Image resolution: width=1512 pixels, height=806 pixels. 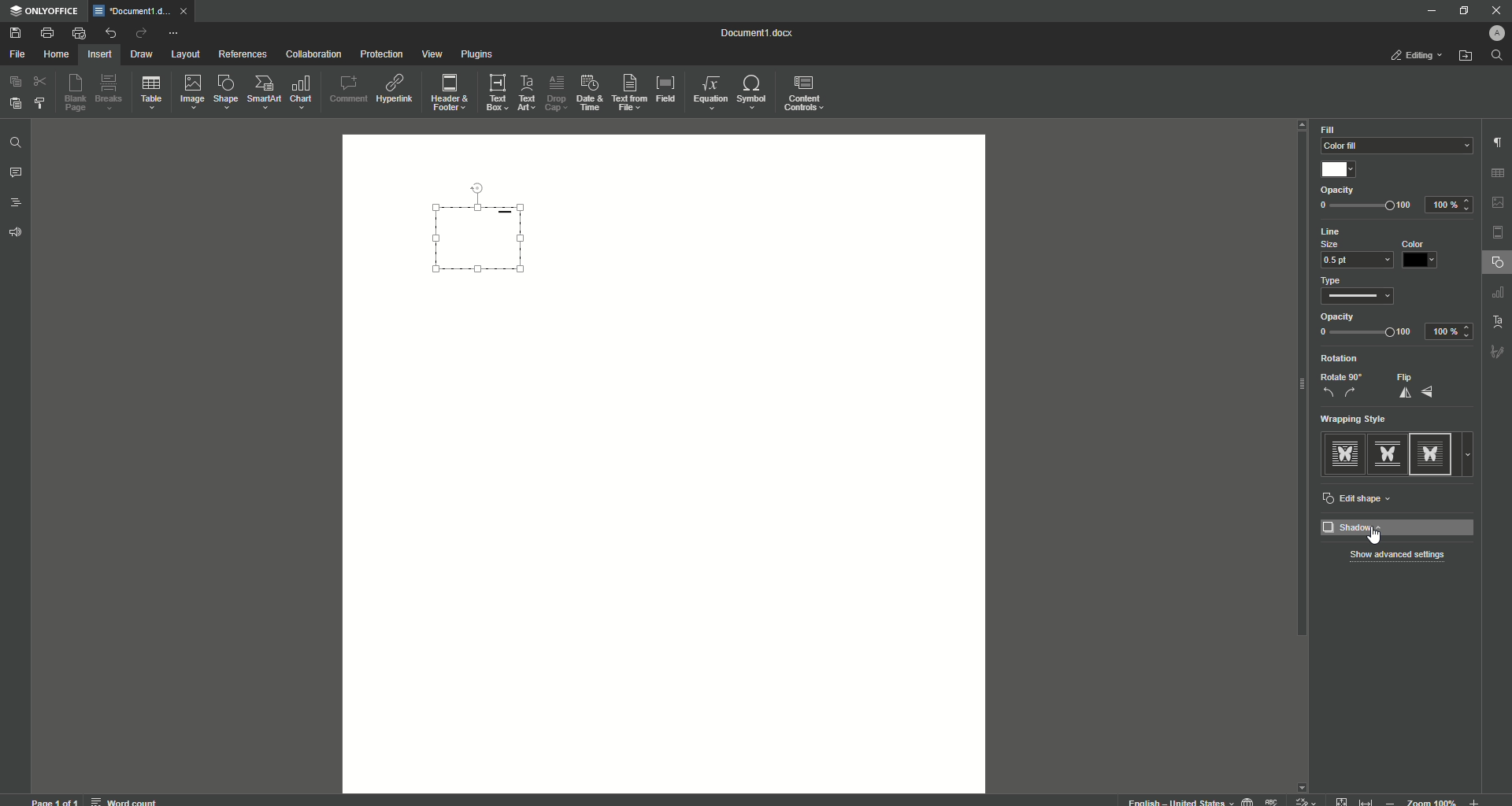 I want to click on Tab 1, so click(x=134, y=11).